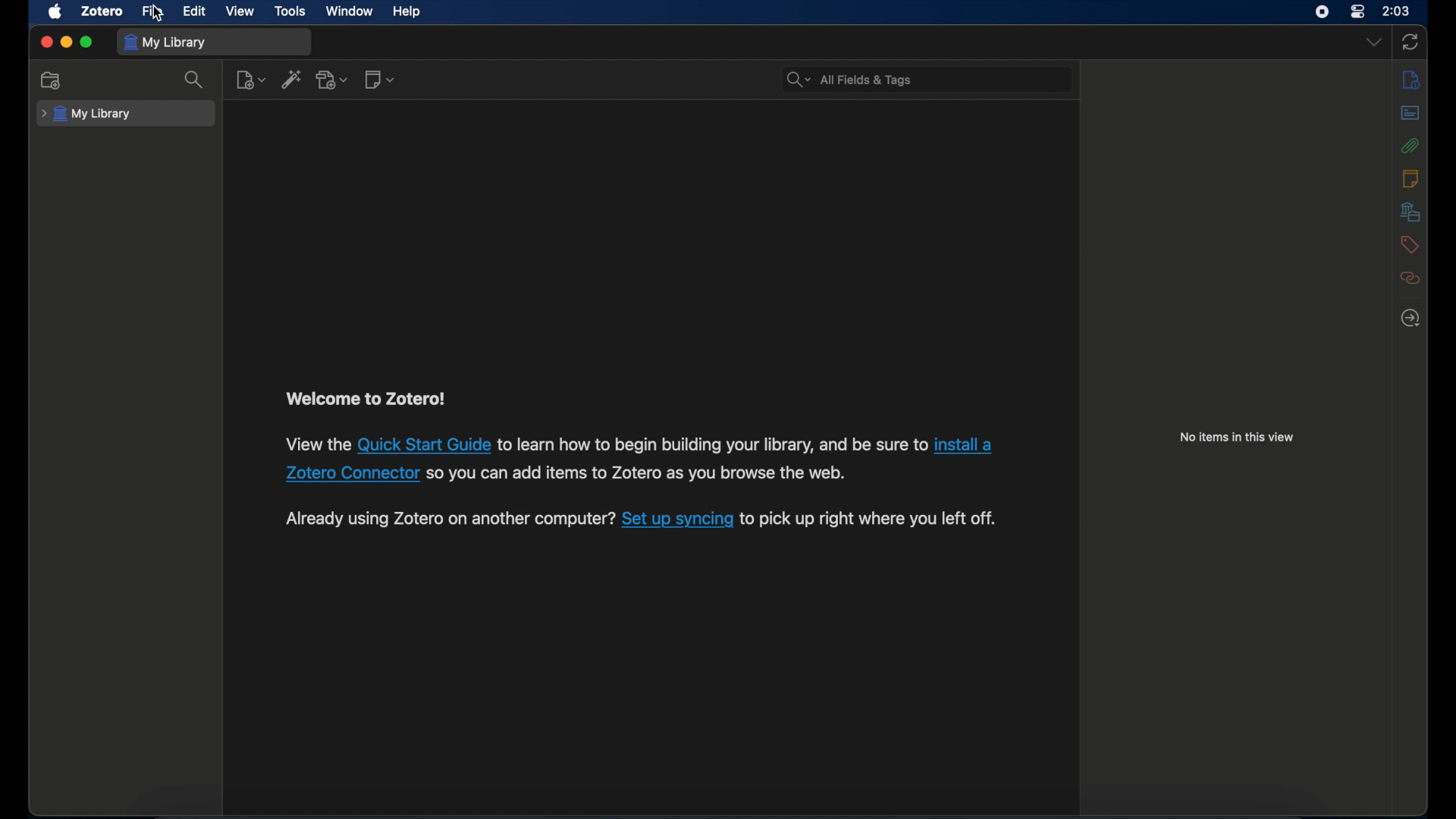 The height and width of the screenshot is (819, 1456). I want to click on window, so click(350, 11).